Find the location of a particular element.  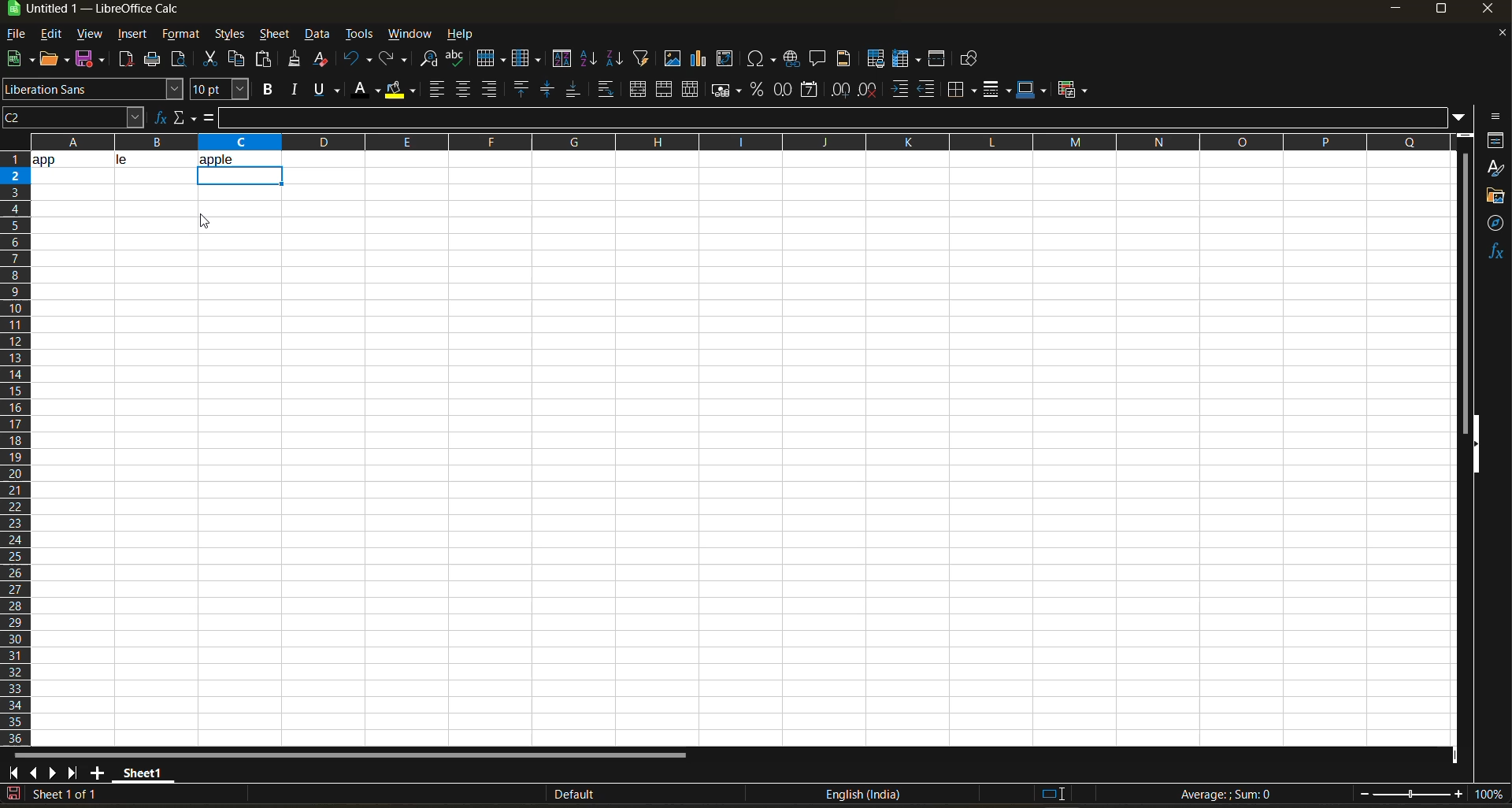

add sheet is located at coordinates (97, 773).